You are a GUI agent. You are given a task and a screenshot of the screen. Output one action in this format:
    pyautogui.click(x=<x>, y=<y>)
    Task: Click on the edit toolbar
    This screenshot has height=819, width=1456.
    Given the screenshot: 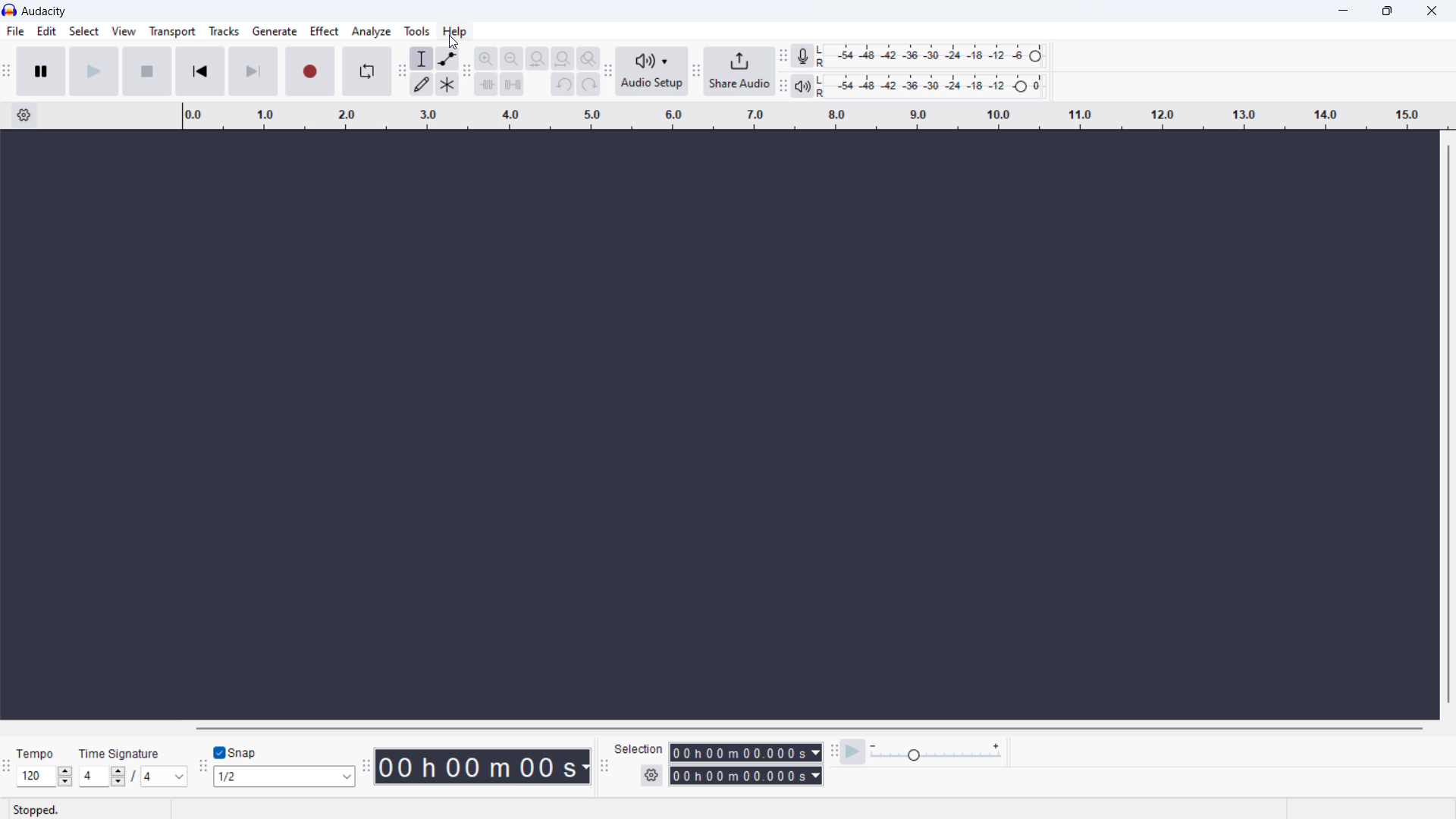 What is the action you would take?
    pyautogui.click(x=467, y=71)
    